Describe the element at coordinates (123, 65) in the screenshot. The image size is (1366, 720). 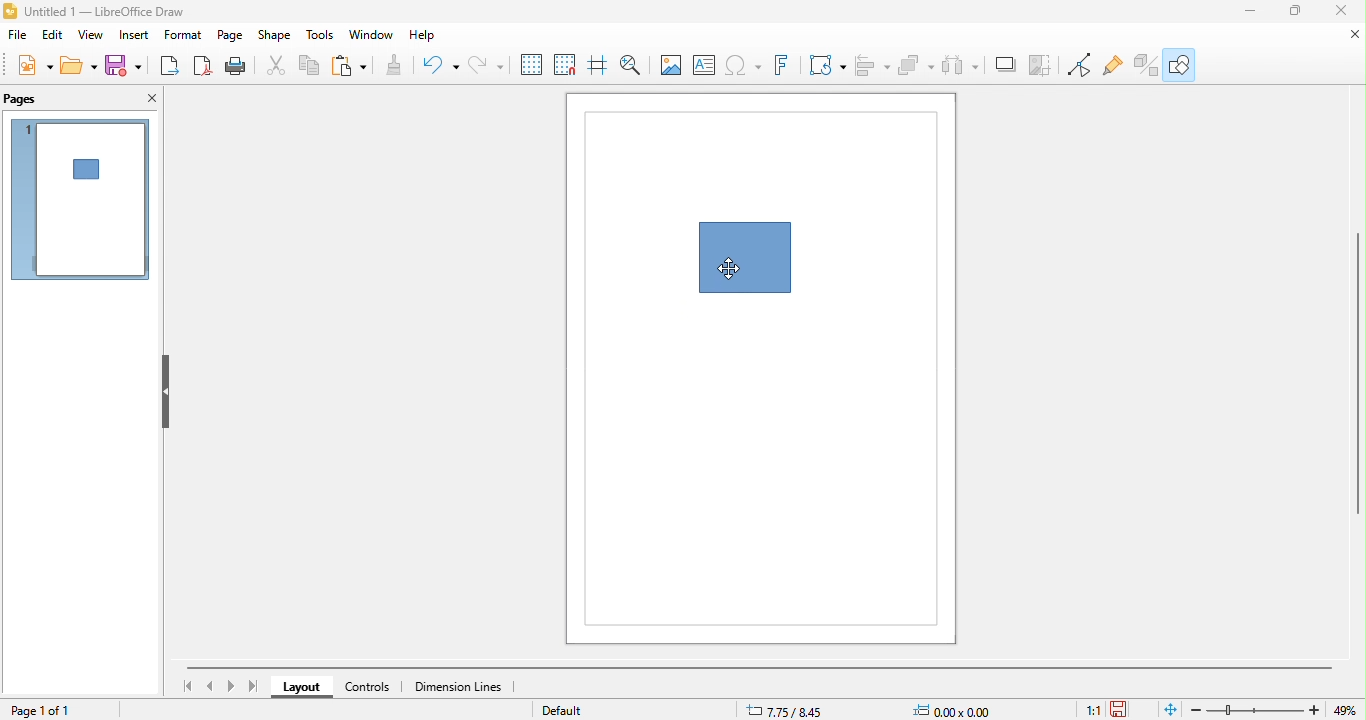
I see `save` at that location.